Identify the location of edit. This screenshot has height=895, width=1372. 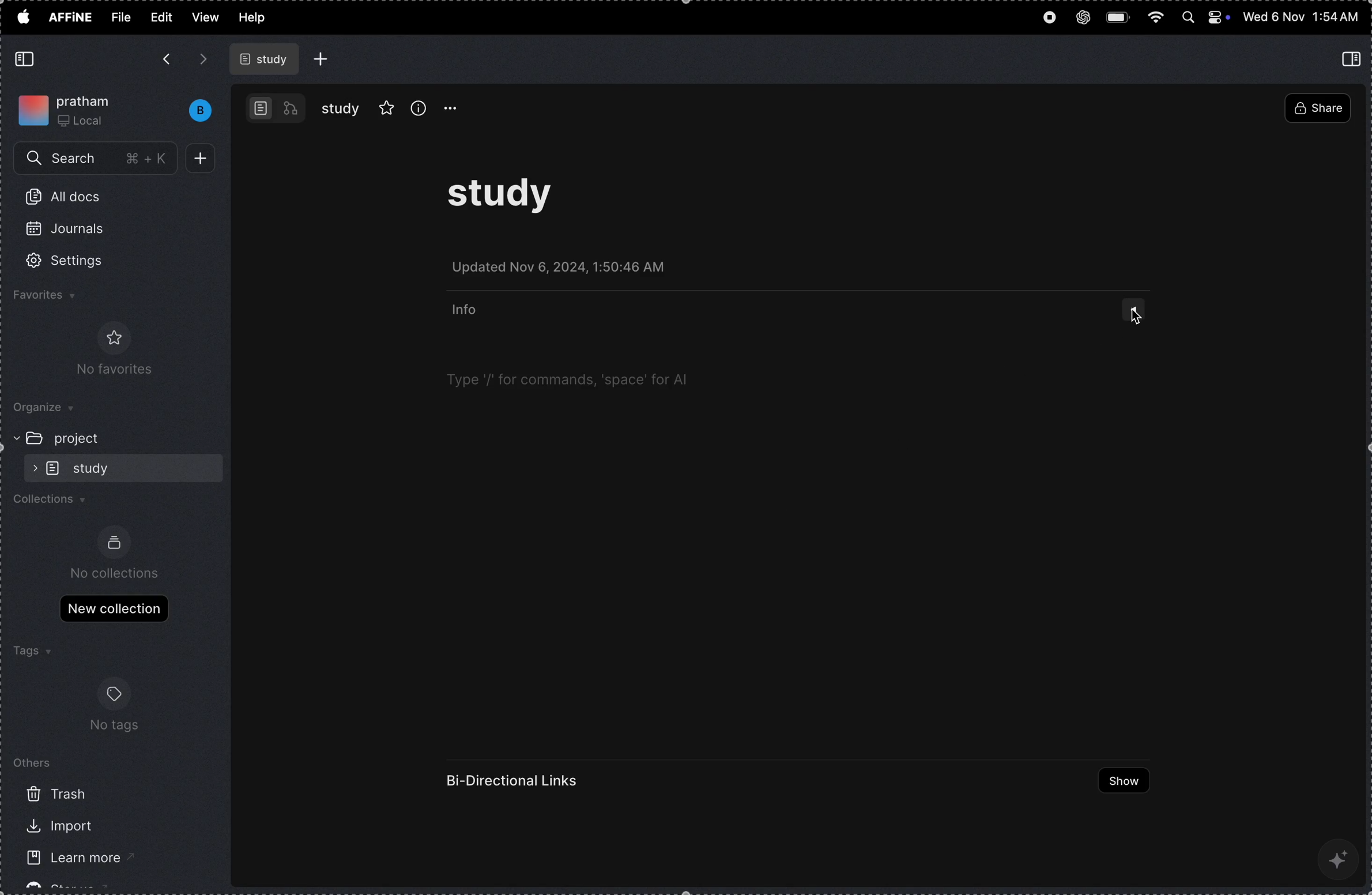
(160, 16).